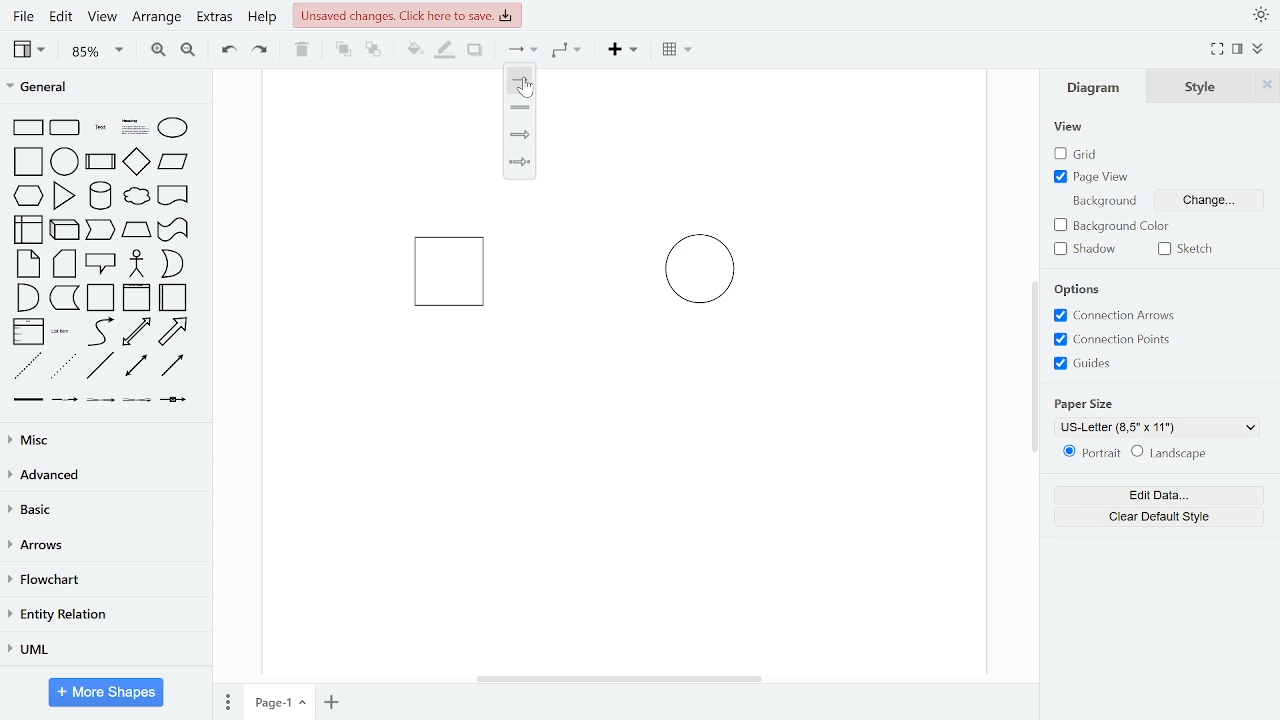 The image size is (1280, 720). What do you see at coordinates (622, 678) in the screenshot?
I see `horizontal scrollbar` at bounding box center [622, 678].